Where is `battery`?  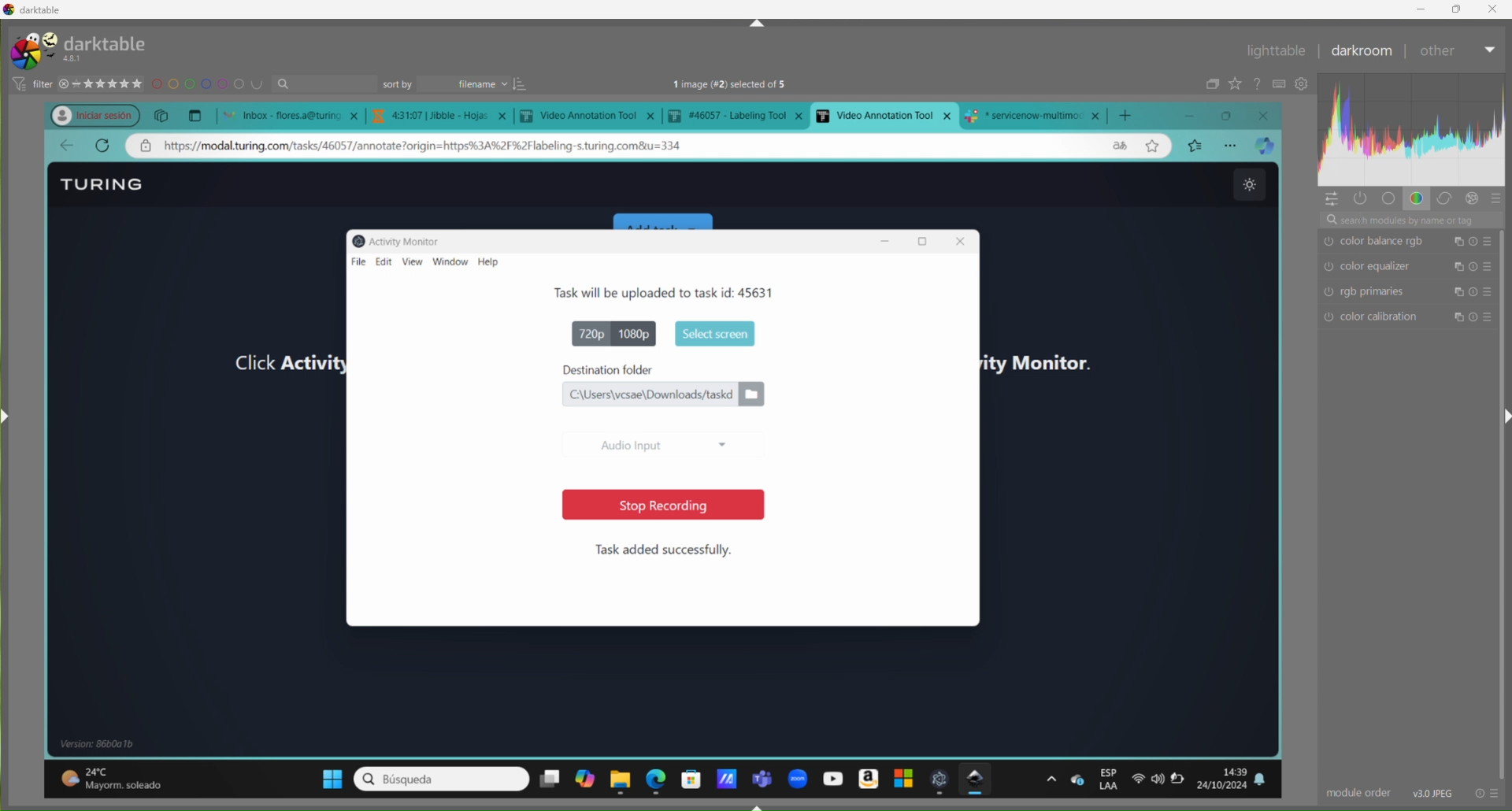
battery is located at coordinates (1183, 783).